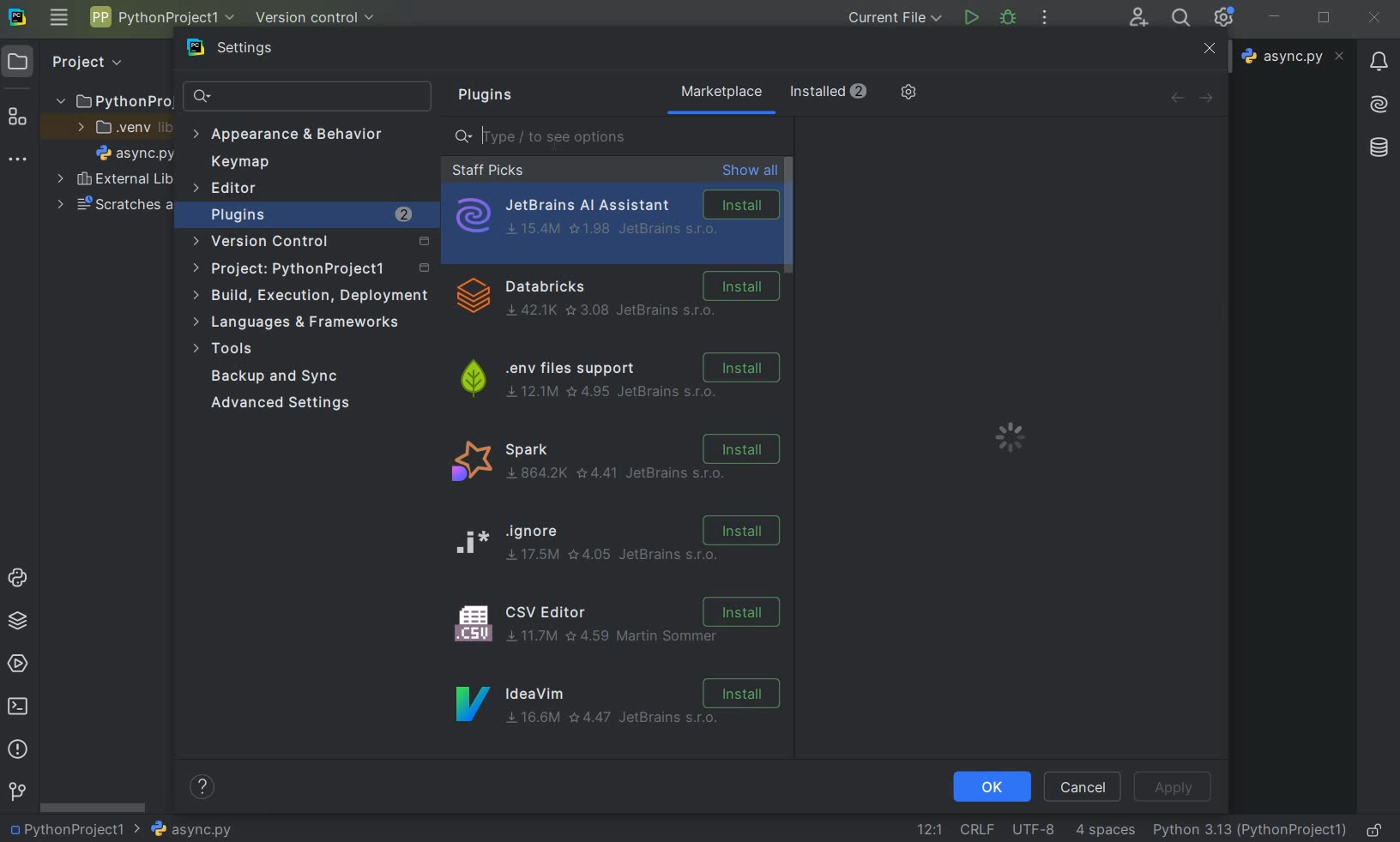  Describe the element at coordinates (722, 92) in the screenshot. I see `marketplace` at that location.